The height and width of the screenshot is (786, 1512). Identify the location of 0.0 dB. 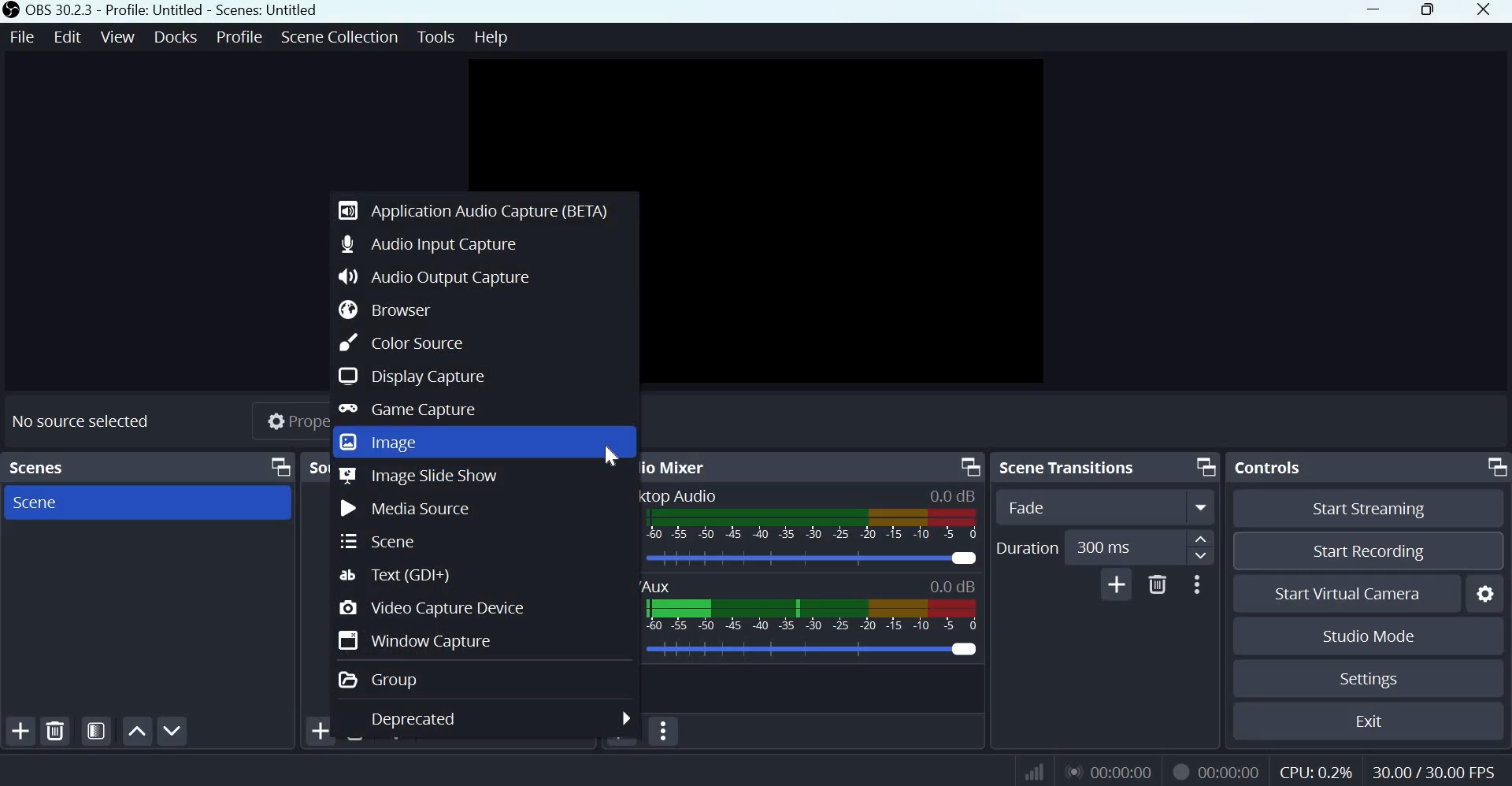
(956, 494).